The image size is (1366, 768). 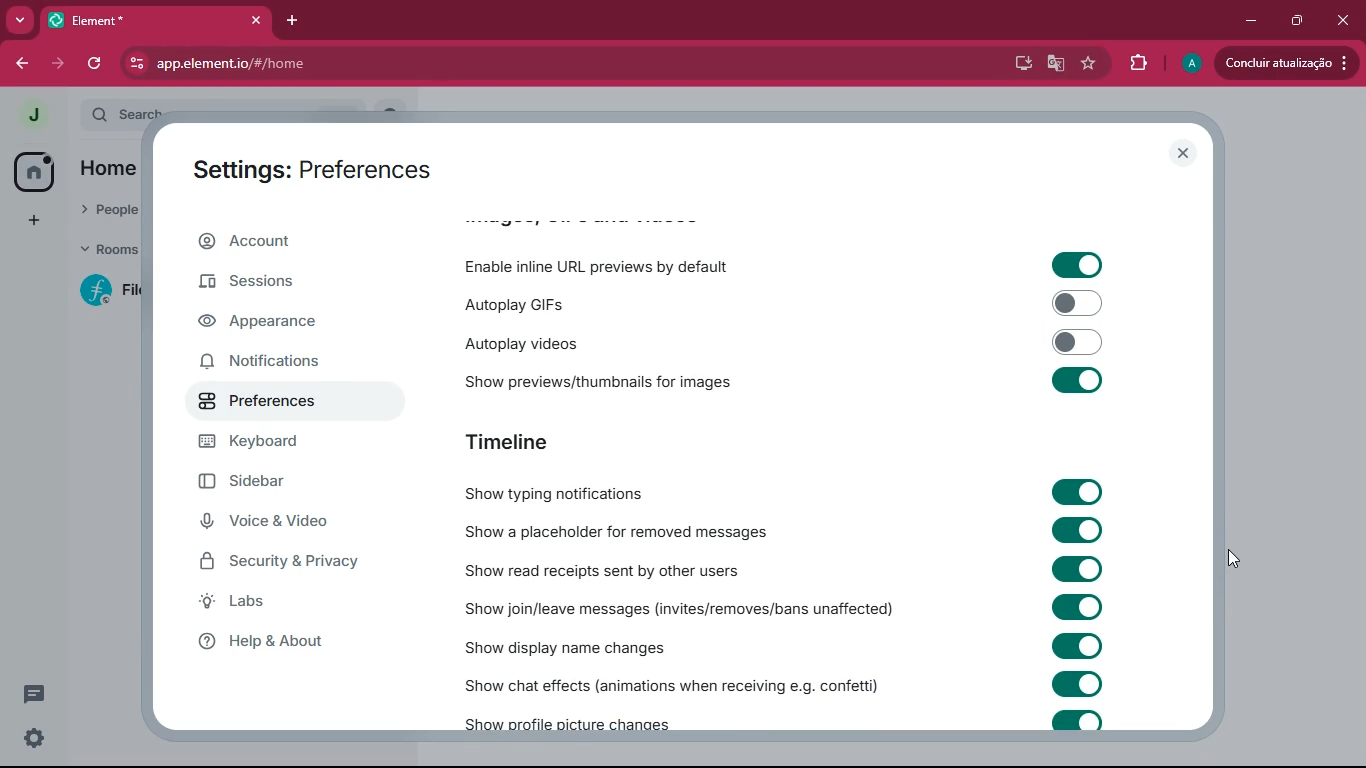 I want to click on profile picture, so click(x=29, y=114).